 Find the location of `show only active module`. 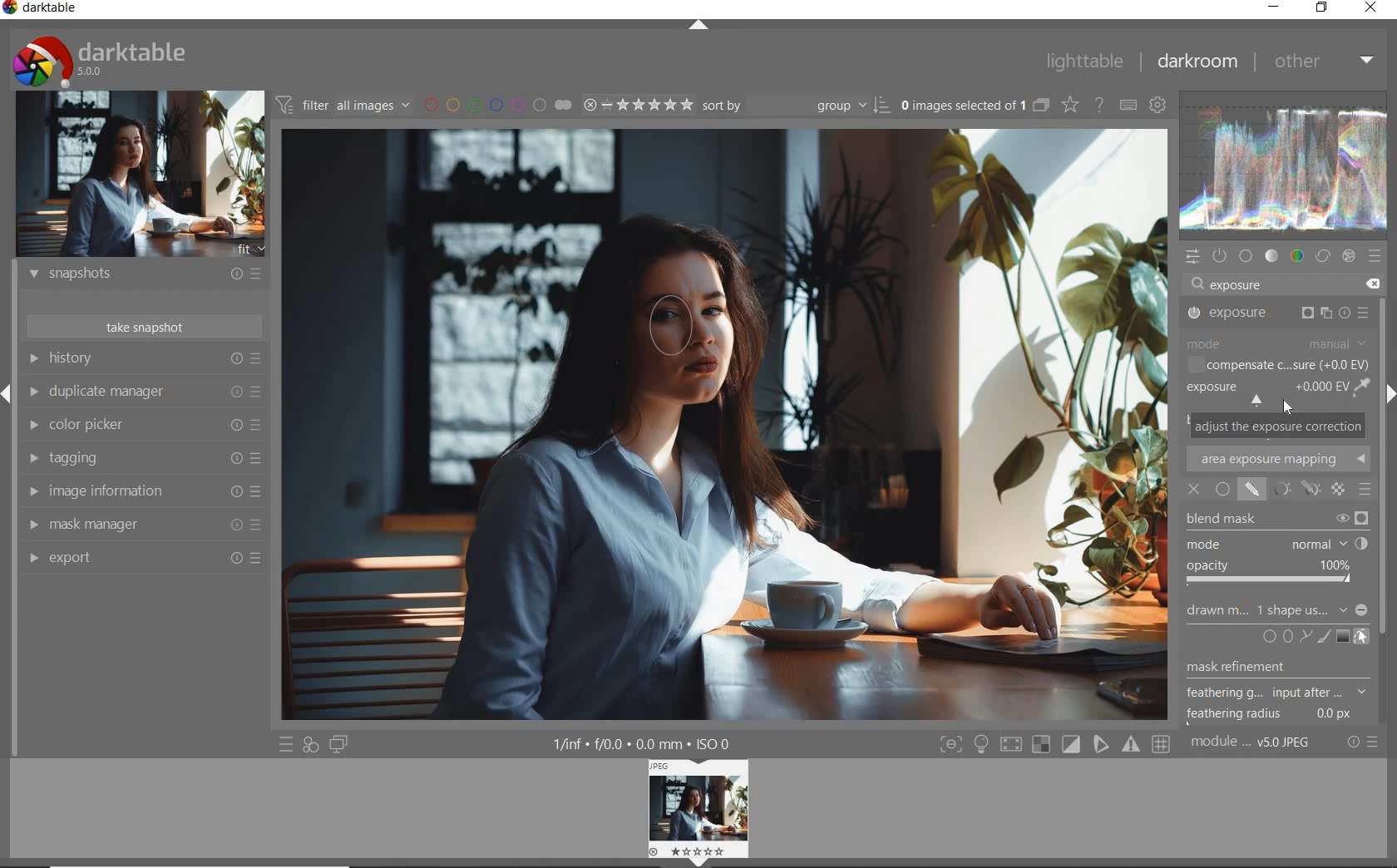

show only active module is located at coordinates (1221, 255).